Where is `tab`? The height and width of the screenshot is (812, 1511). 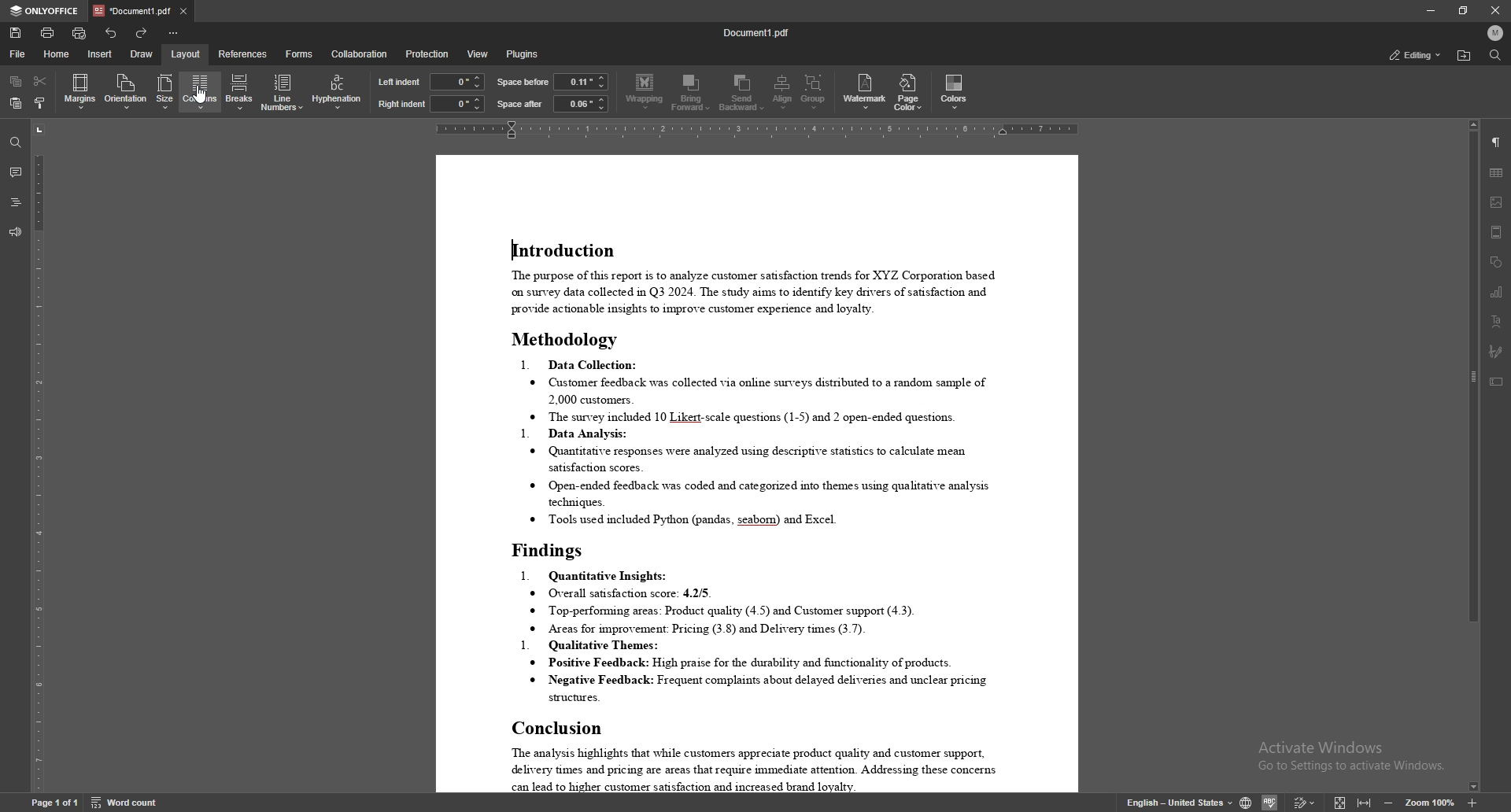
tab is located at coordinates (131, 11).